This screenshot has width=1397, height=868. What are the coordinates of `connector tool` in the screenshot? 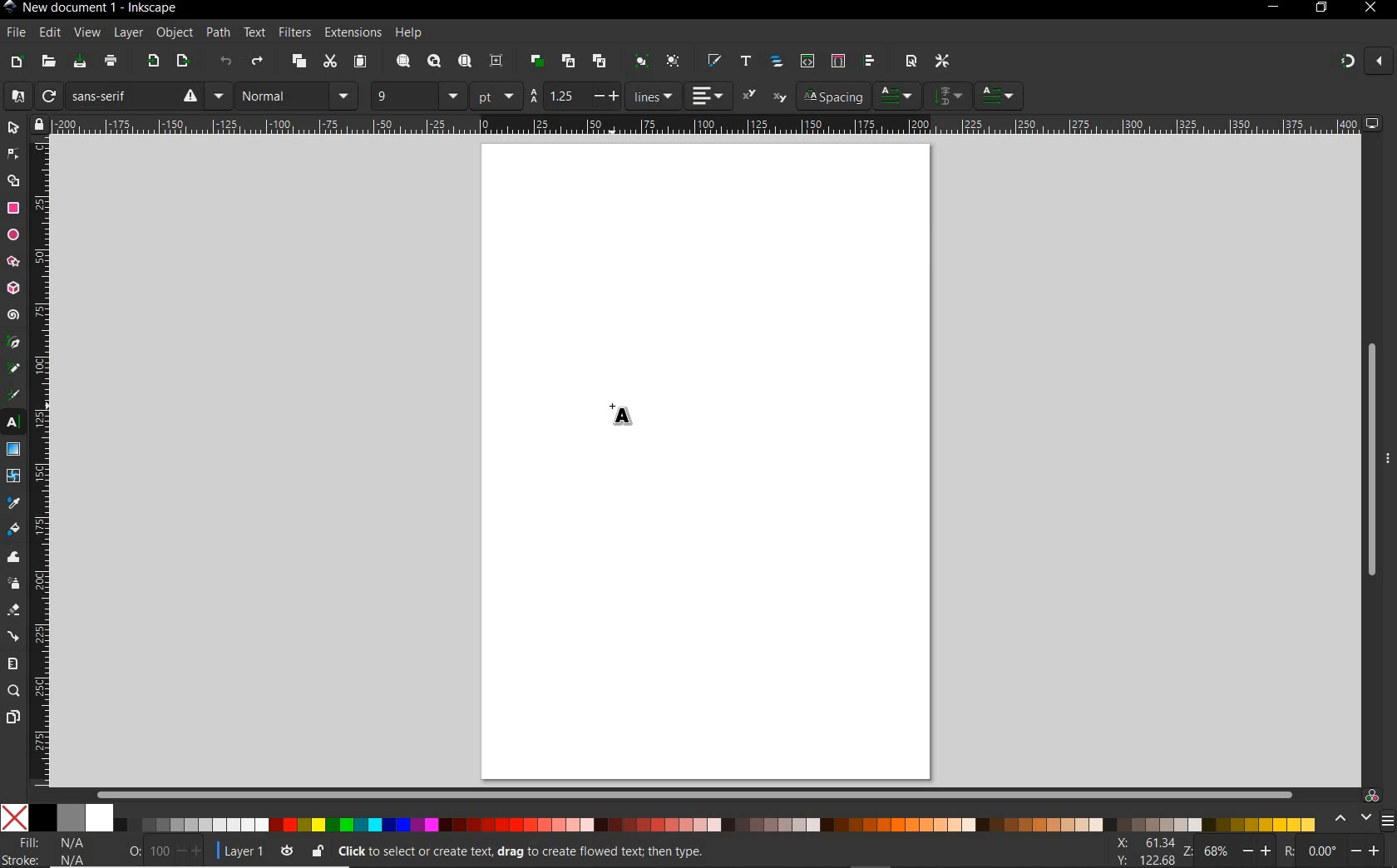 It's located at (15, 638).